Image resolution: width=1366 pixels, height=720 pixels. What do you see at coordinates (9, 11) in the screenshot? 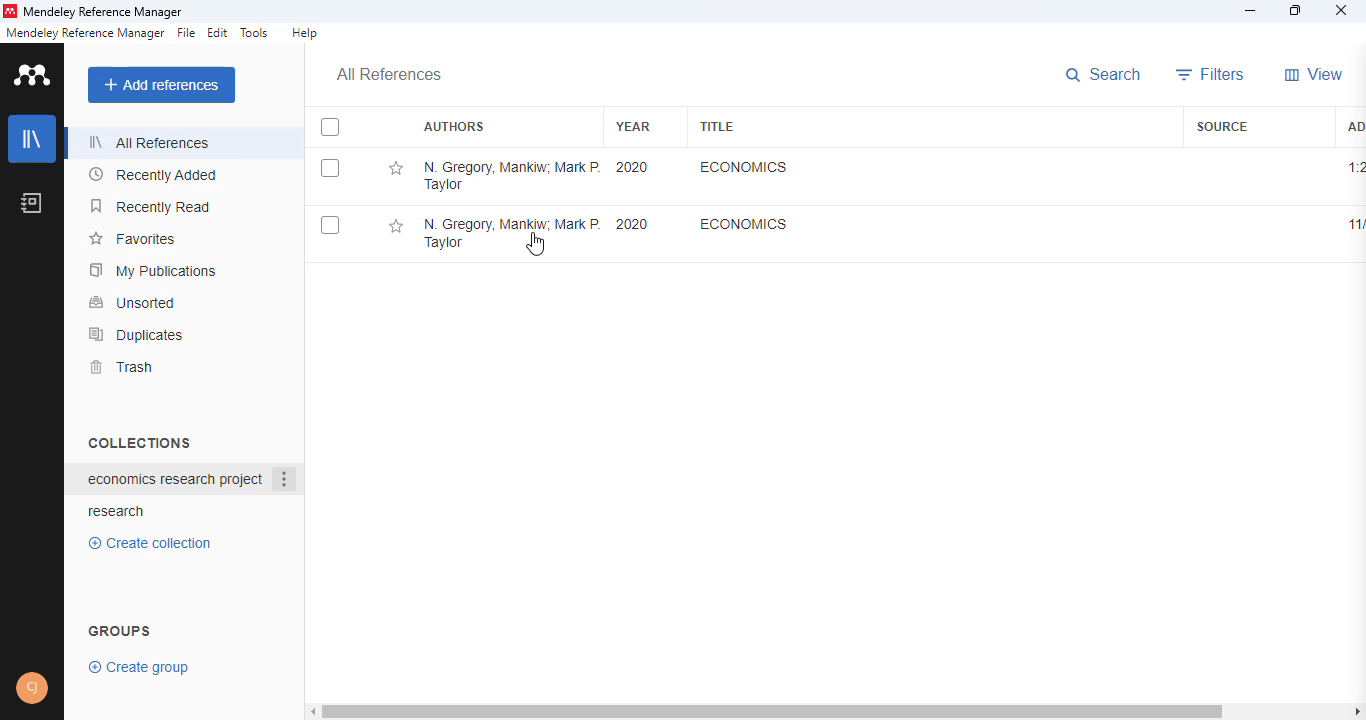
I see `logo` at bounding box center [9, 11].